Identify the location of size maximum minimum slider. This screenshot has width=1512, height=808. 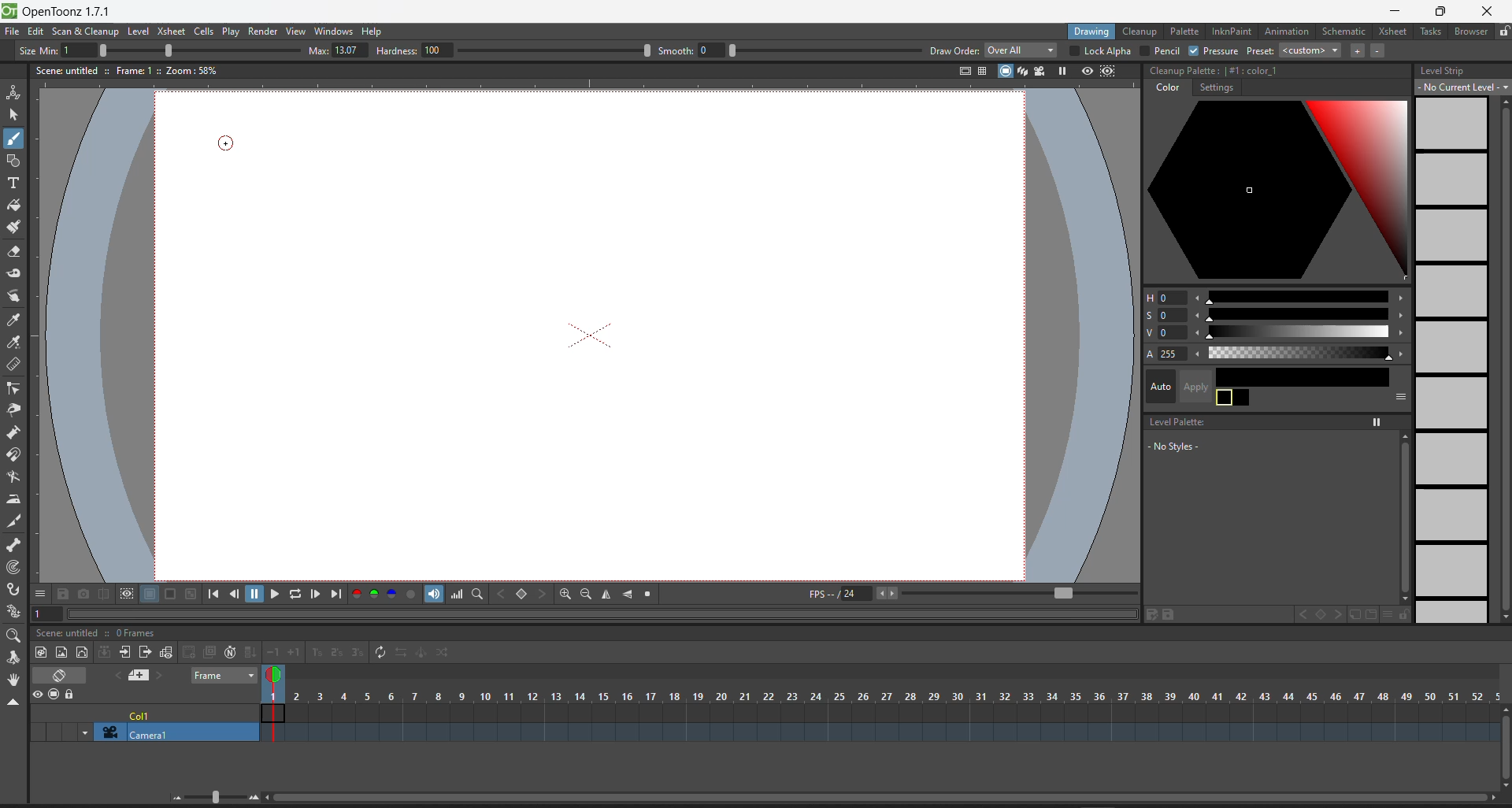
(145, 50).